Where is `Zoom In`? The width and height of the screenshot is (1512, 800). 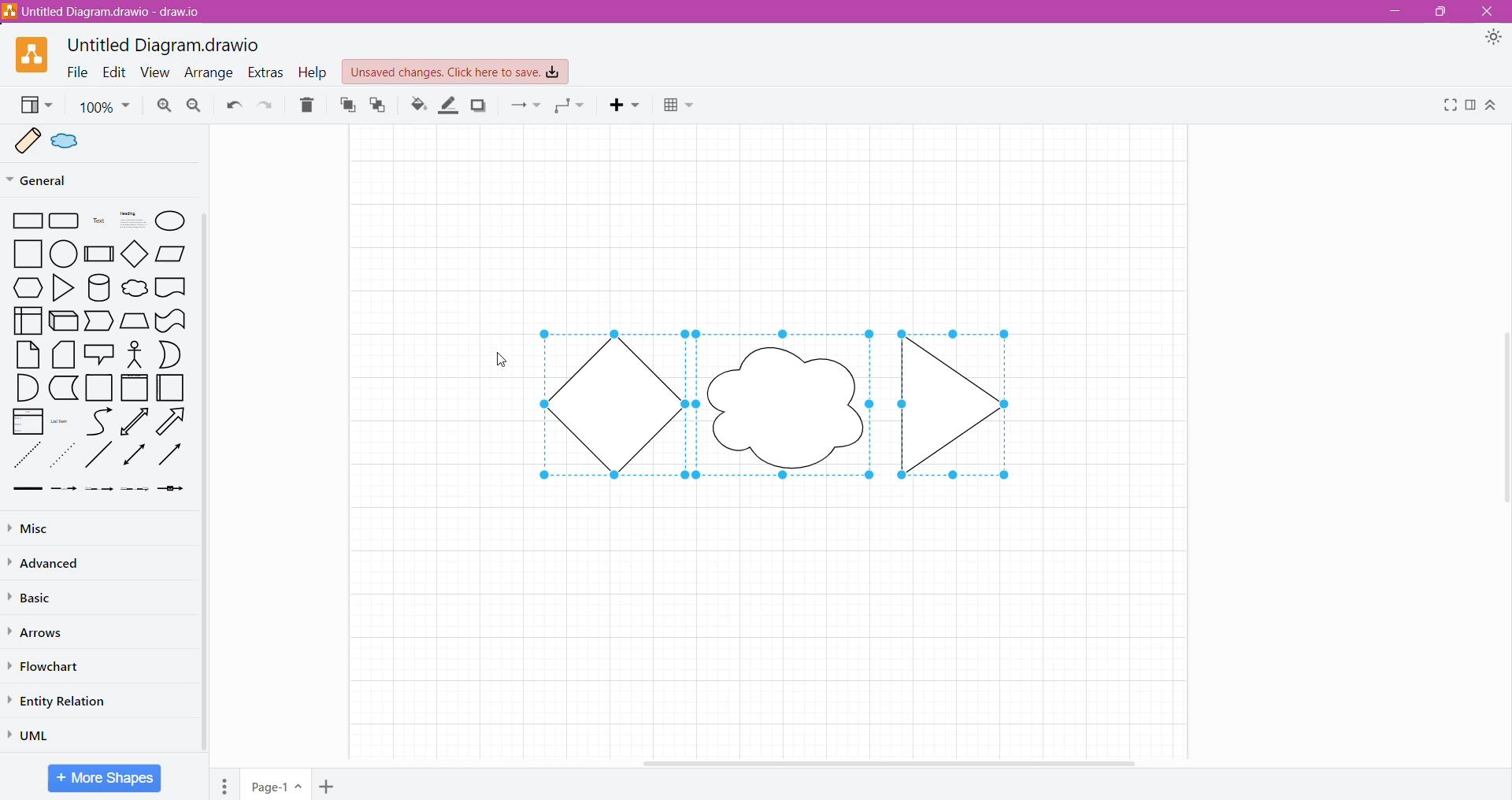 Zoom In is located at coordinates (165, 106).